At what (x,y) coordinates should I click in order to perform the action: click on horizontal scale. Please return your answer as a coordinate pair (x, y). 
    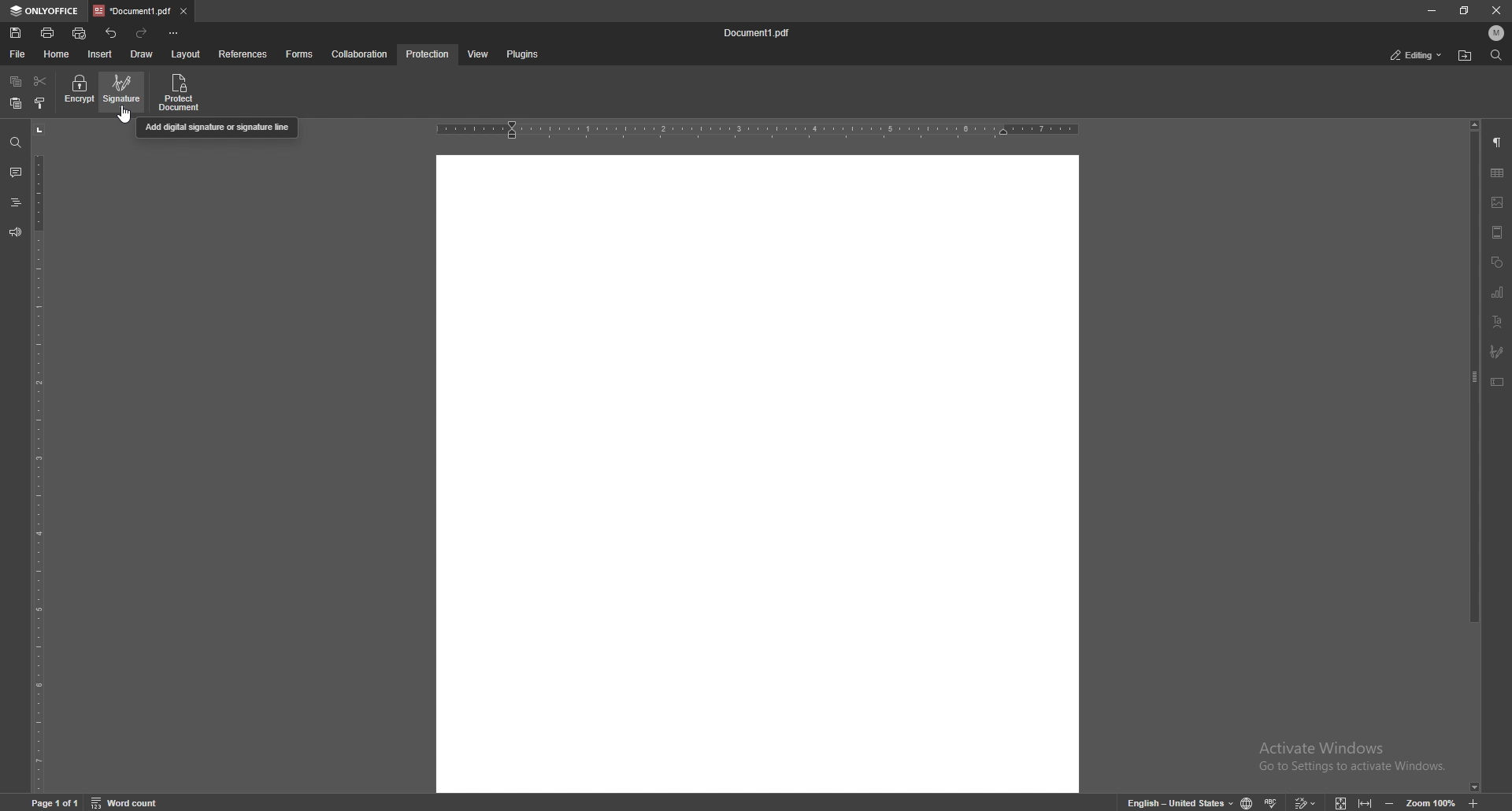
    Looking at the image, I should click on (758, 131).